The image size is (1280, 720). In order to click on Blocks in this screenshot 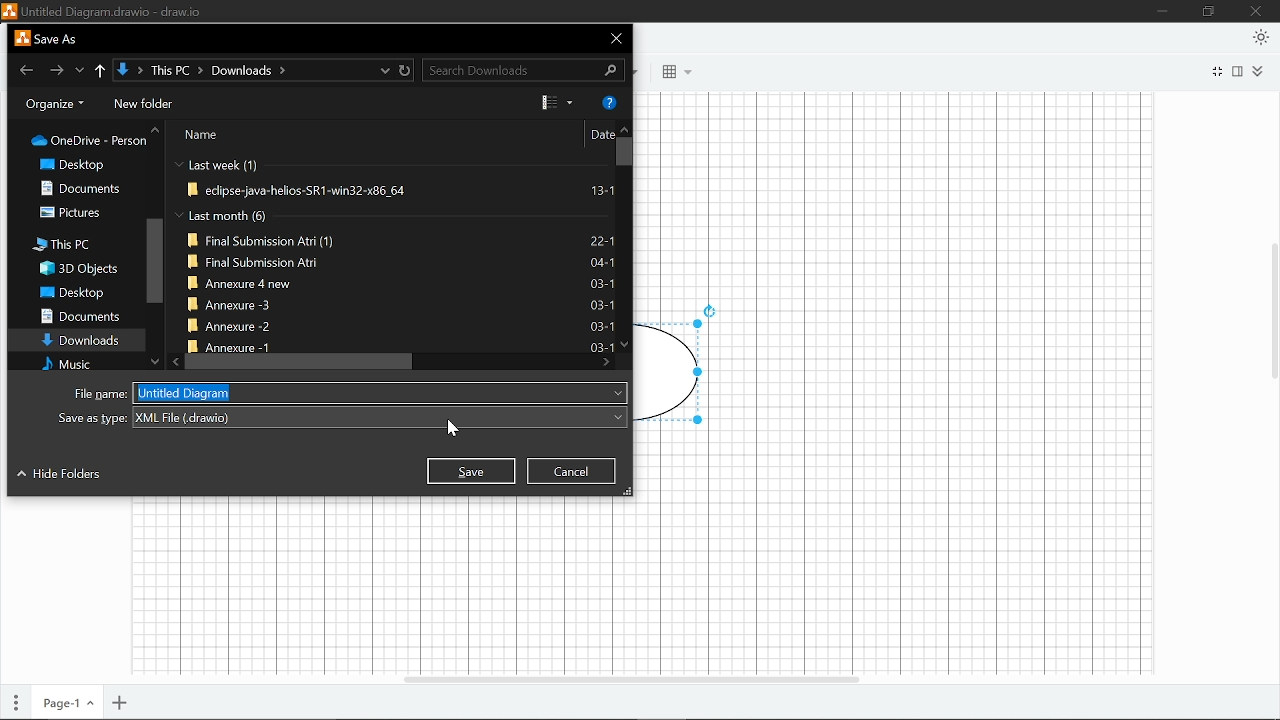, I will do `click(671, 73)`.